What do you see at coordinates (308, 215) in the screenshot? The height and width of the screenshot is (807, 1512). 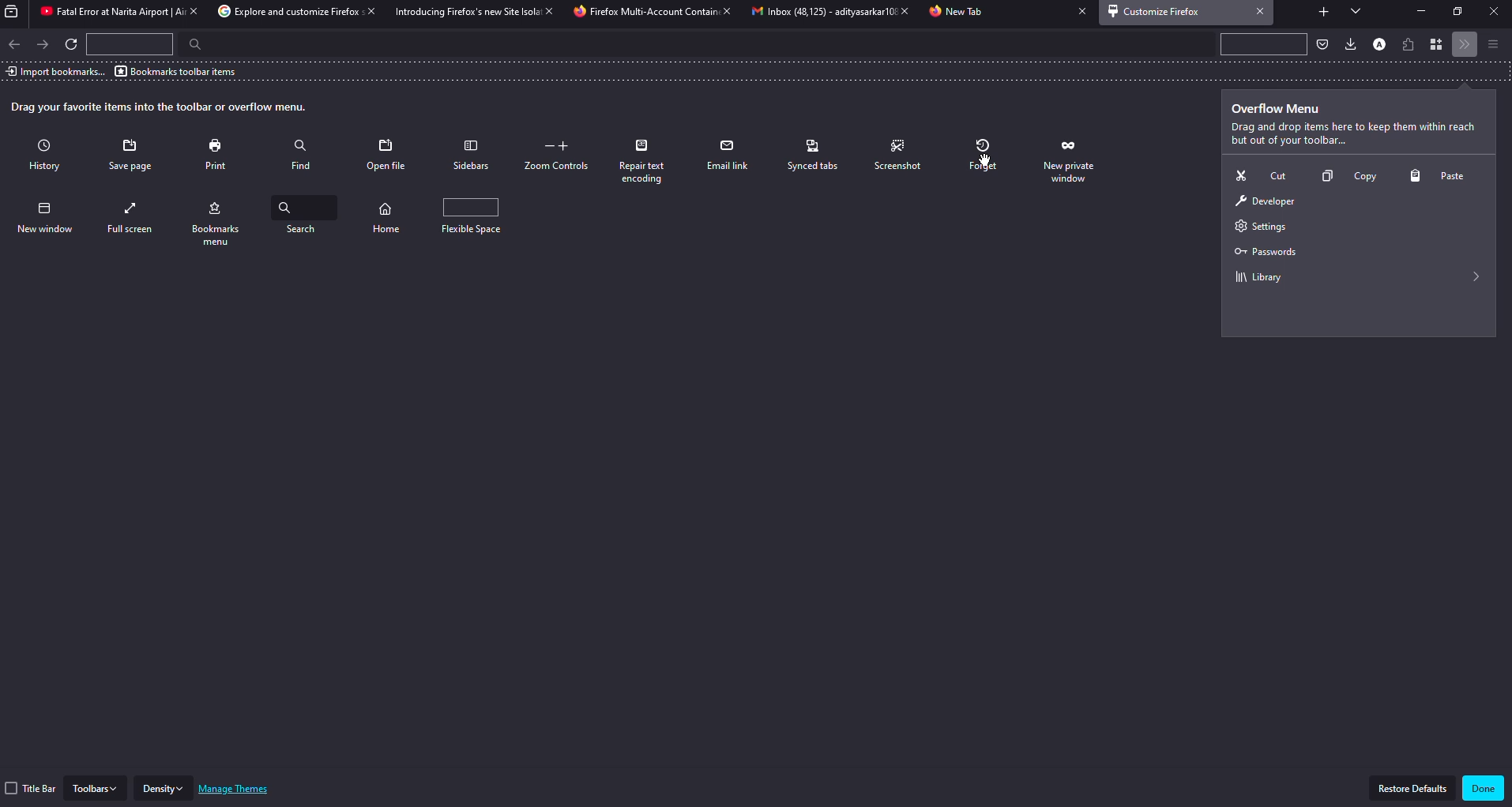 I see `search` at bounding box center [308, 215].